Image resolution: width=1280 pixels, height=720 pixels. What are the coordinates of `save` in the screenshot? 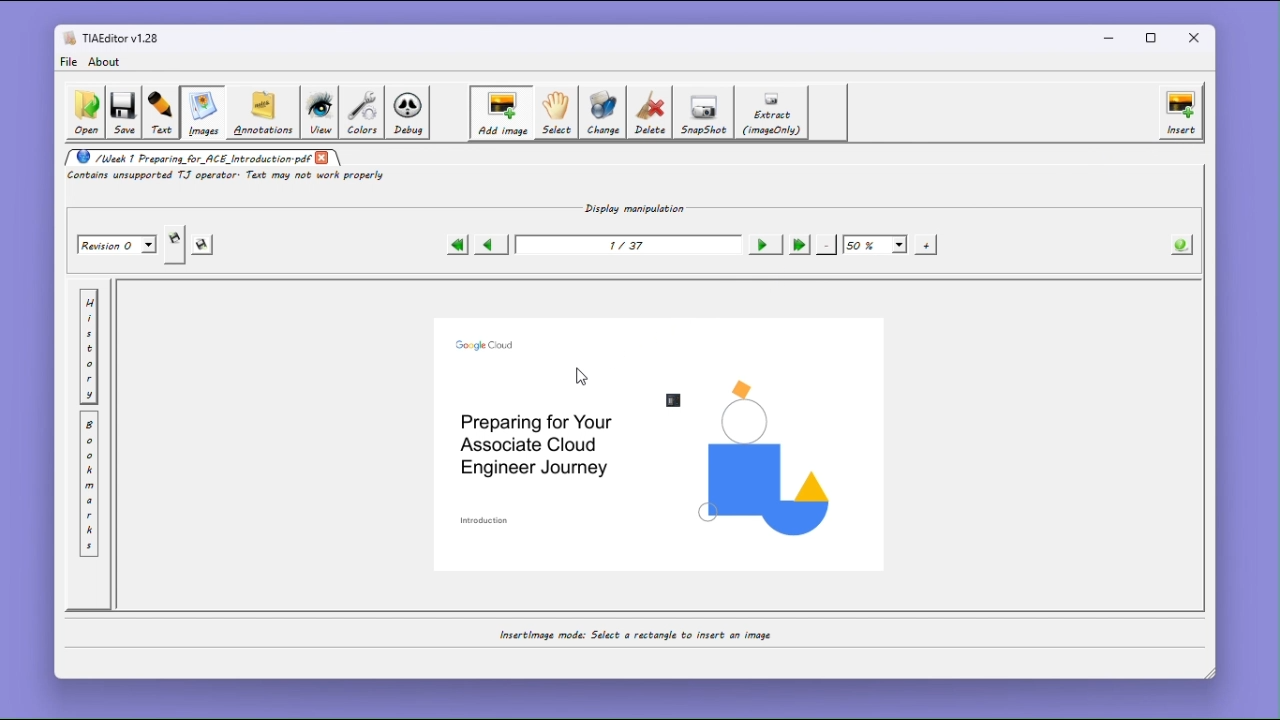 It's located at (123, 114).